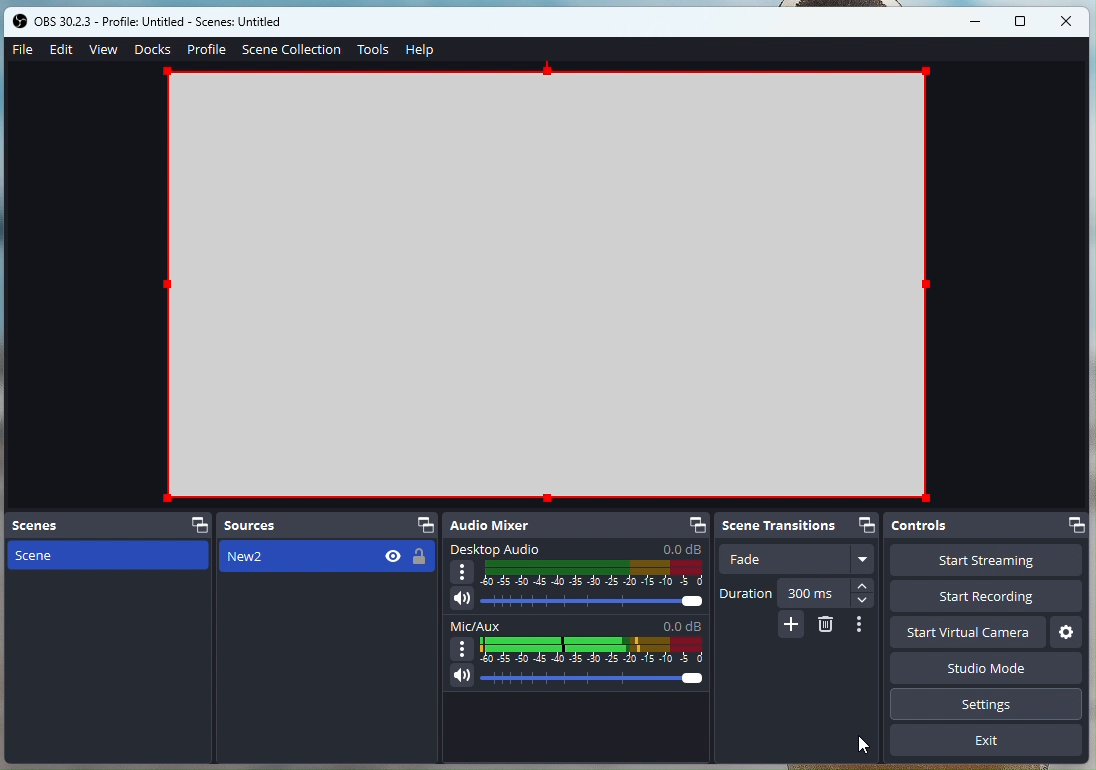 The width and height of the screenshot is (1096, 770). What do you see at coordinates (1027, 21) in the screenshot?
I see `window size toggle` at bounding box center [1027, 21].